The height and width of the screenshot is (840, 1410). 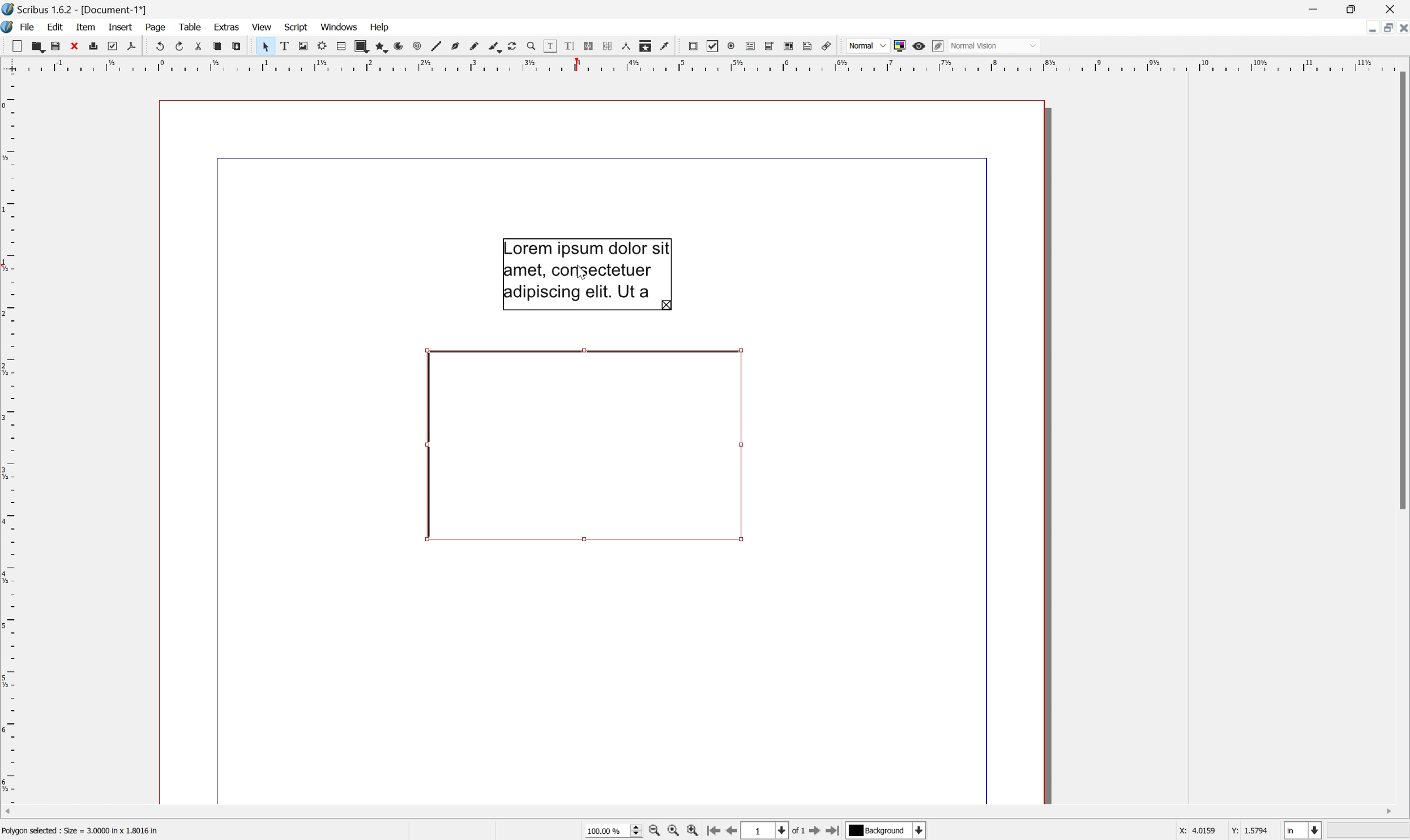 What do you see at coordinates (768, 830) in the screenshot?
I see `Select the current page` at bounding box center [768, 830].